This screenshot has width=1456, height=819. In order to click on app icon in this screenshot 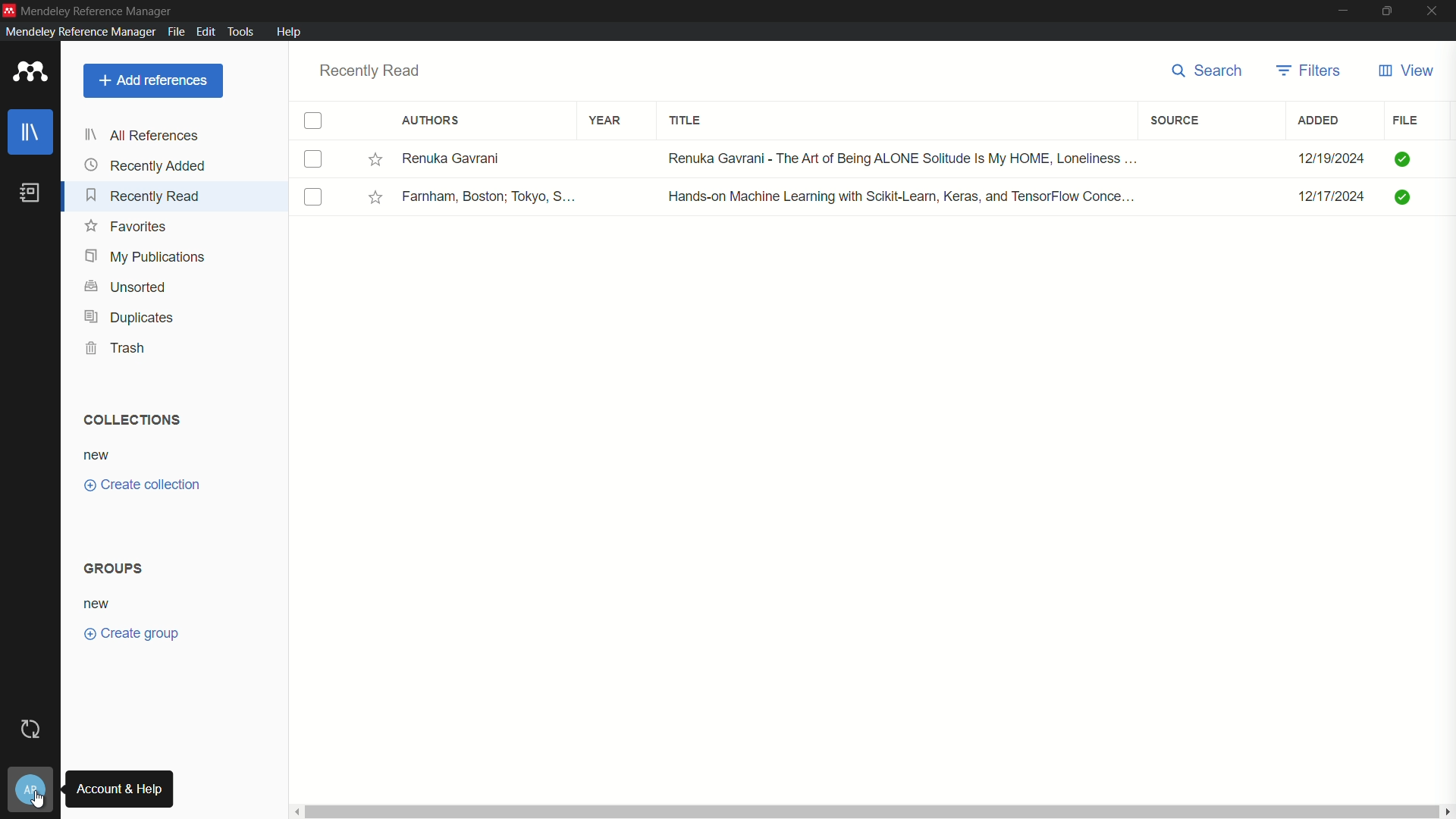, I will do `click(30, 73)`.